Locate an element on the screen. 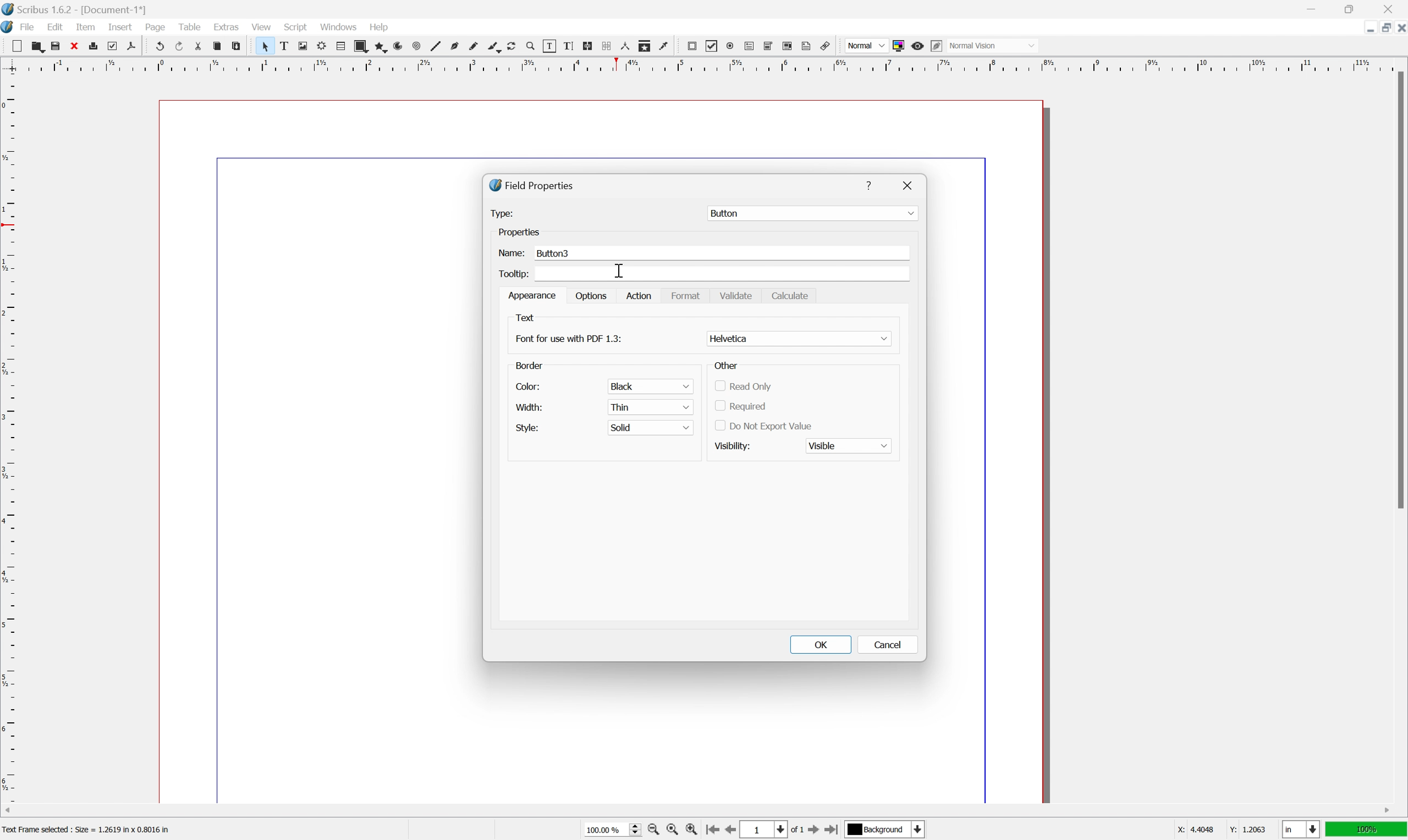 This screenshot has height=840, width=1408. redo is located at coordinates (181, 46).